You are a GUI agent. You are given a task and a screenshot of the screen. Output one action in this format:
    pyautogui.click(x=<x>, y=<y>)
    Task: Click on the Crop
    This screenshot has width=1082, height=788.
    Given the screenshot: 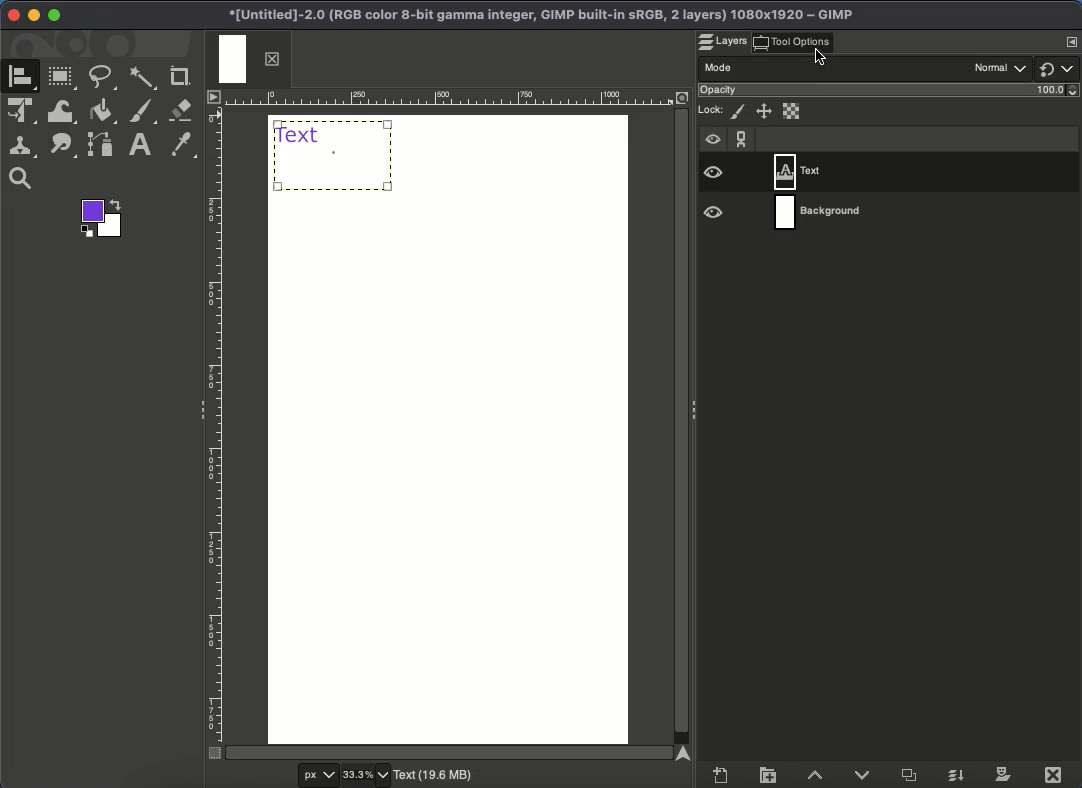 What is the action you would take?
    pyautogui.click(x=180, y=76)
    